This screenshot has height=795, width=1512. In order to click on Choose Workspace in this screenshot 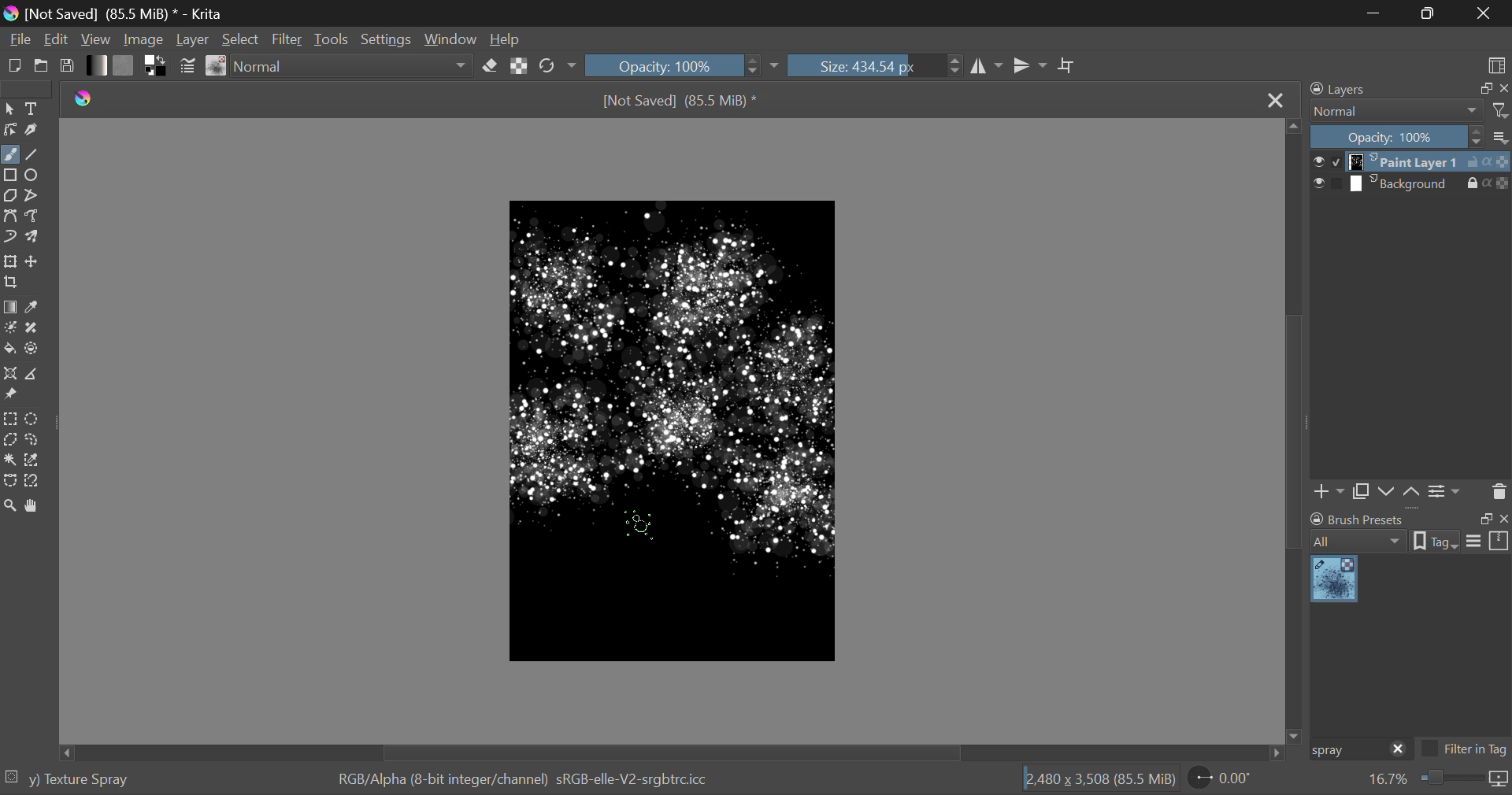, I will do `click(1496, 65)`.